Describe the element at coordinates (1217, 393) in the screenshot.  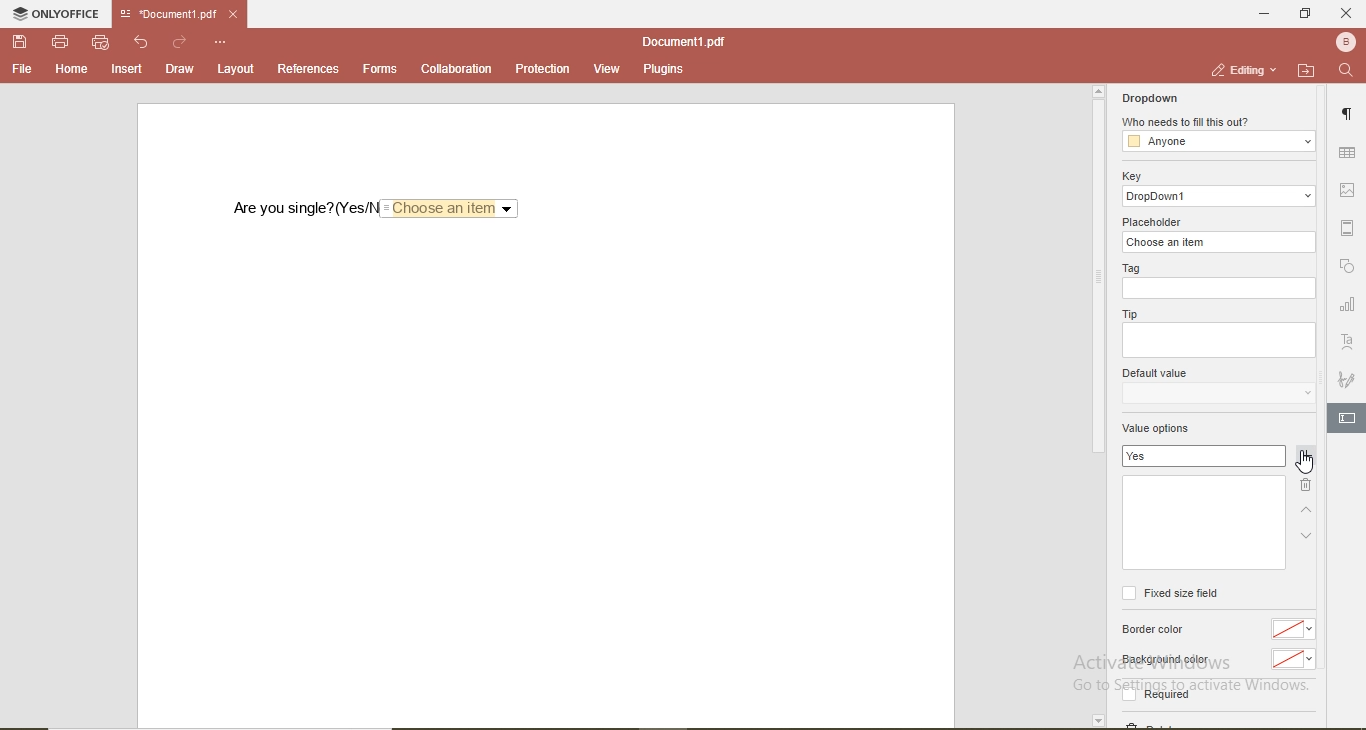
I see `dropdown` at that location.